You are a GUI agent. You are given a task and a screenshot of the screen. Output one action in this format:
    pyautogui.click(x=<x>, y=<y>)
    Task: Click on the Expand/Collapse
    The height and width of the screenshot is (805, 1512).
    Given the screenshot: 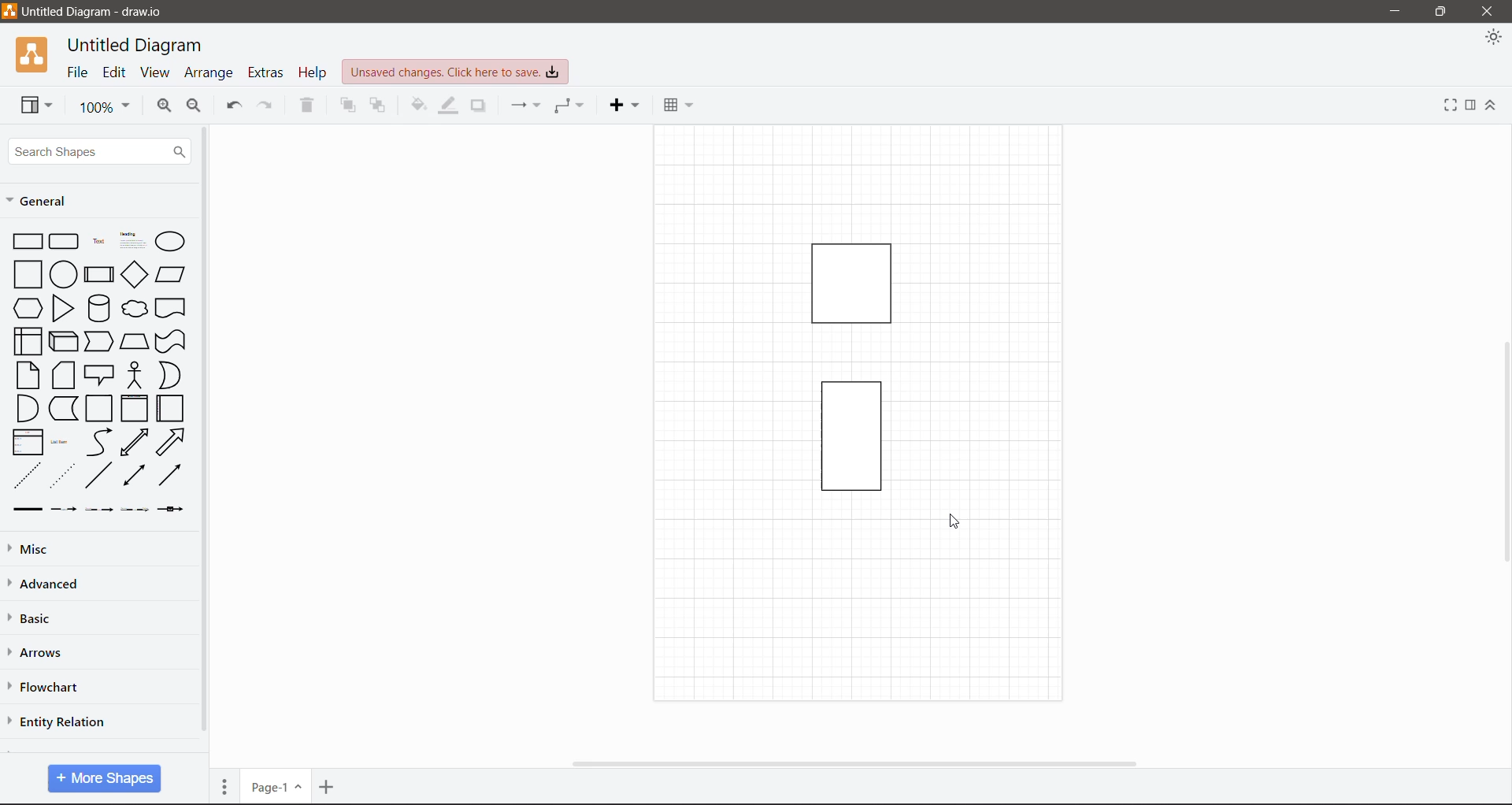 What is the action you would take?
    pyautogui.click(x=1492, y=106)
    